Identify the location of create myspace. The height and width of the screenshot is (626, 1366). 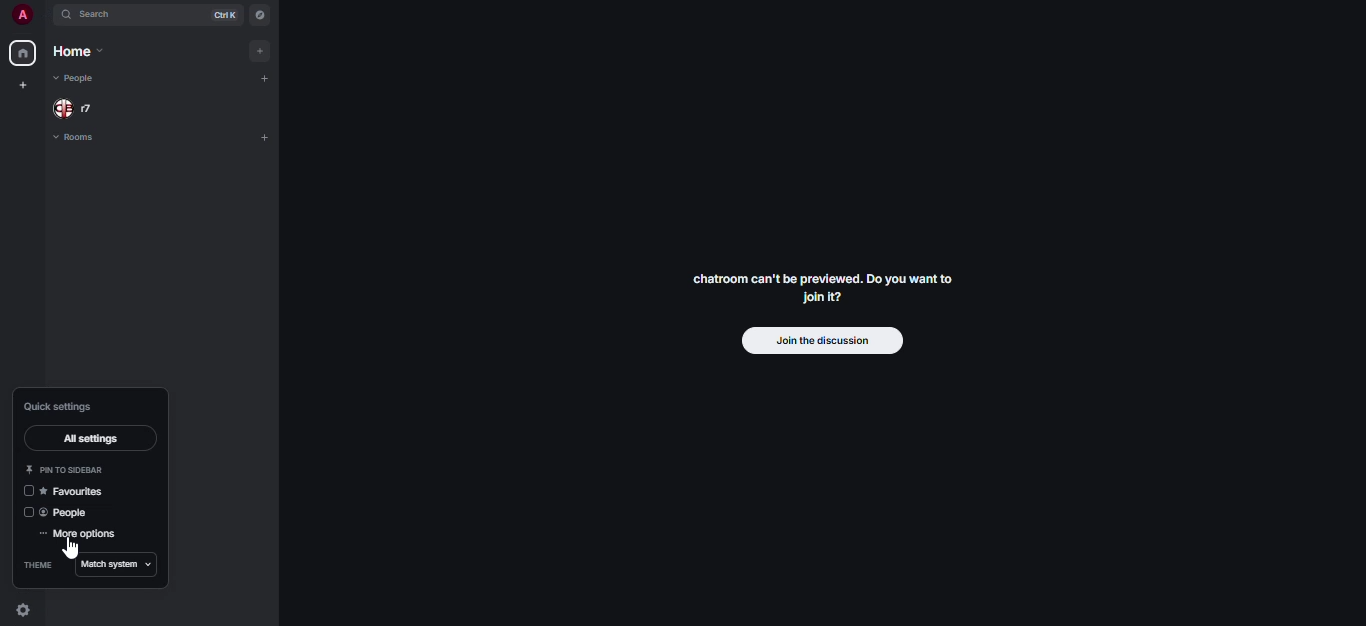
(25, 85).